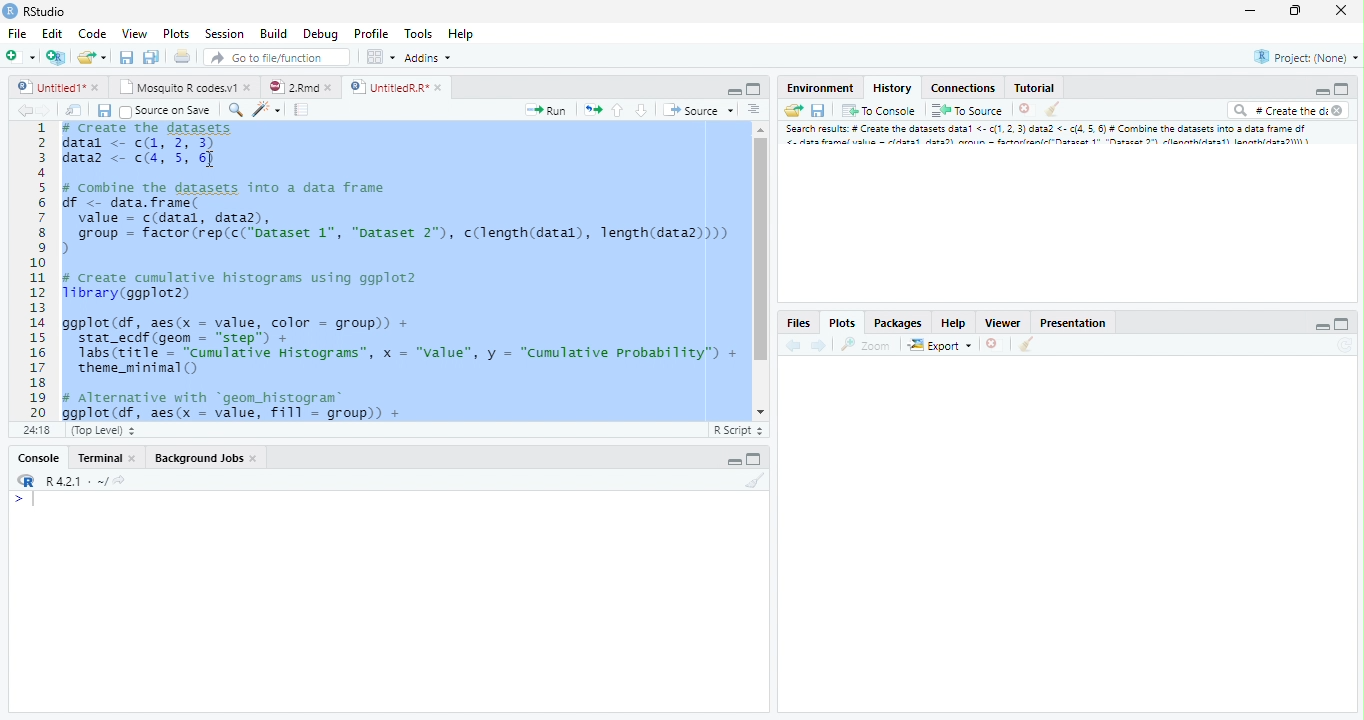 The height and width of the screenshot is (720, 1364). Describe the element at coordinates (738, 430) in the screenshot. I see `R Script` at that location.